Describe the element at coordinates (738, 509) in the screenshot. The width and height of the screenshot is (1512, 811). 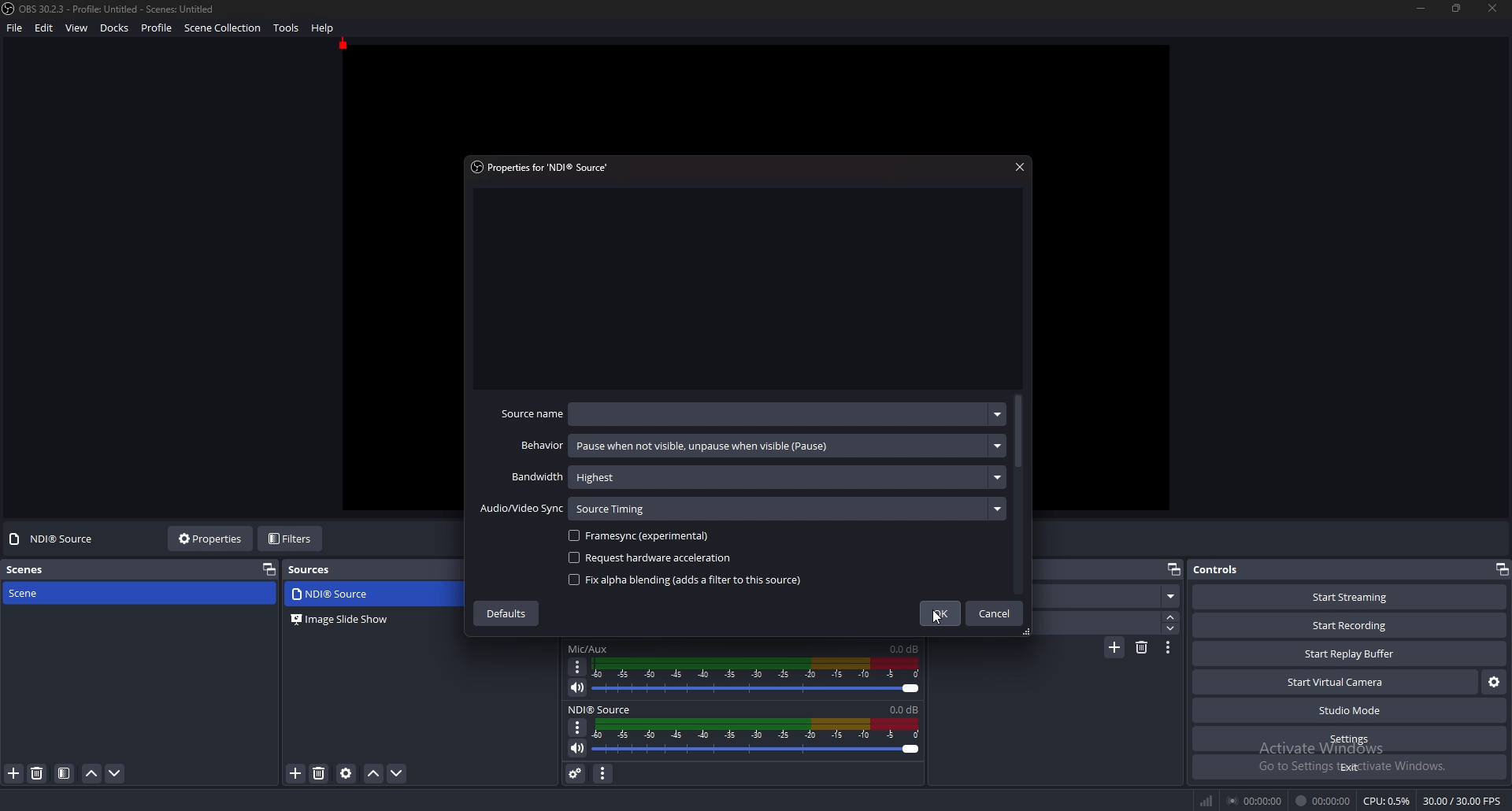
I see `audio video sync` at that location.